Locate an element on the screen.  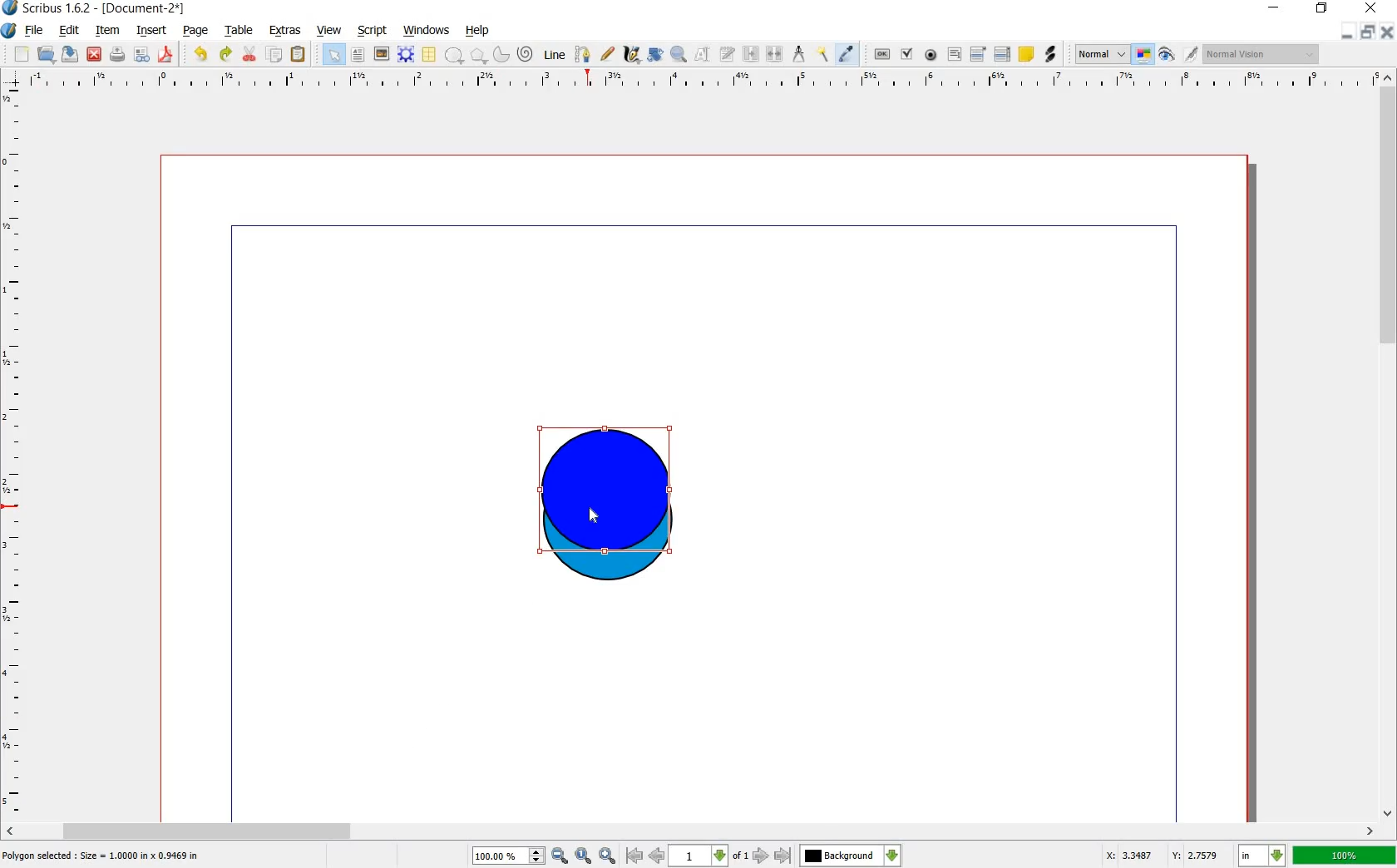
go to next or last page is located at coordinates (773, 856).